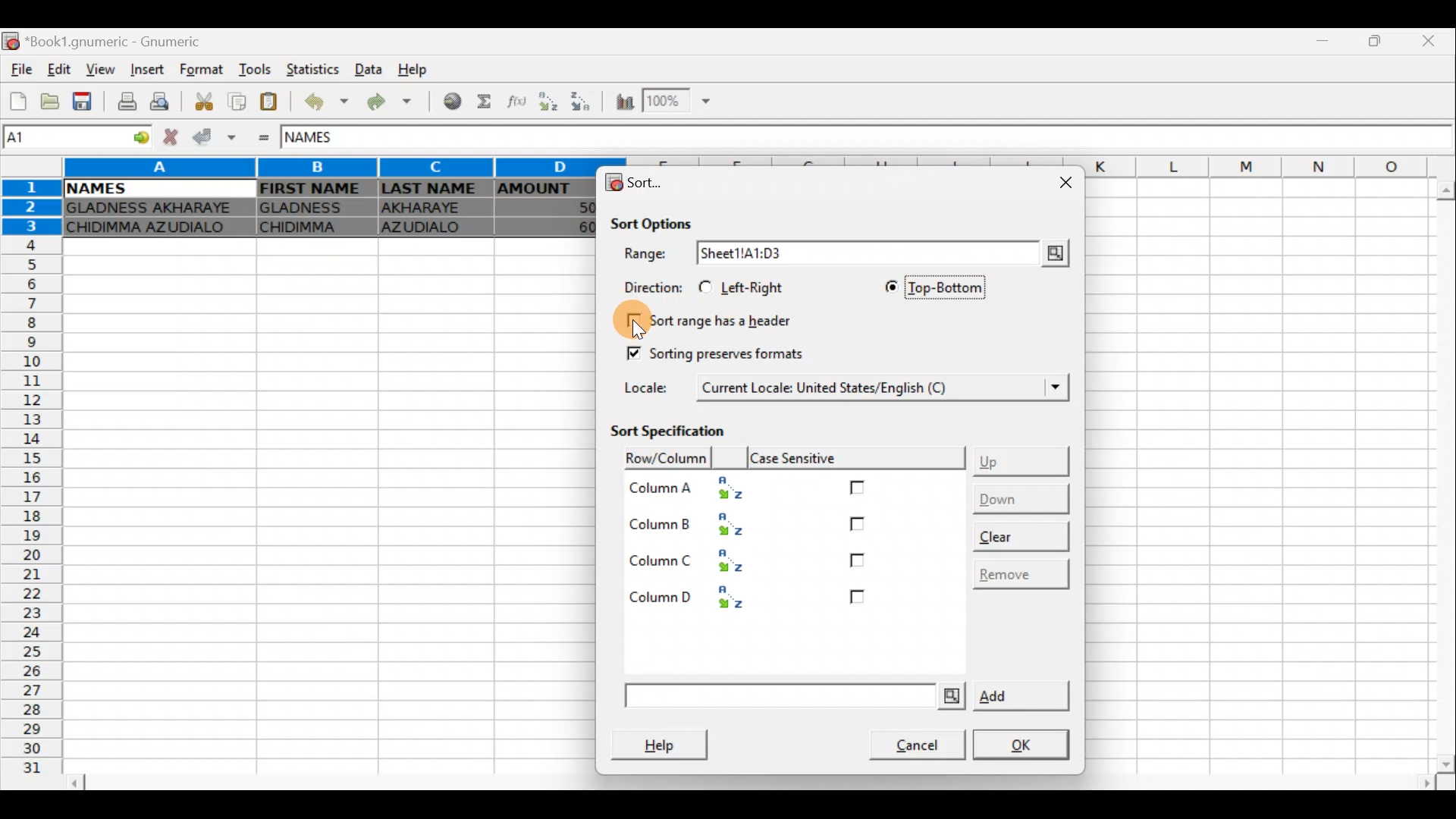 This screenshot has width=1456, height=819. Describe the element at coordinates (19, 101) in the screenshot. I see `Create a new workbook` at that location.